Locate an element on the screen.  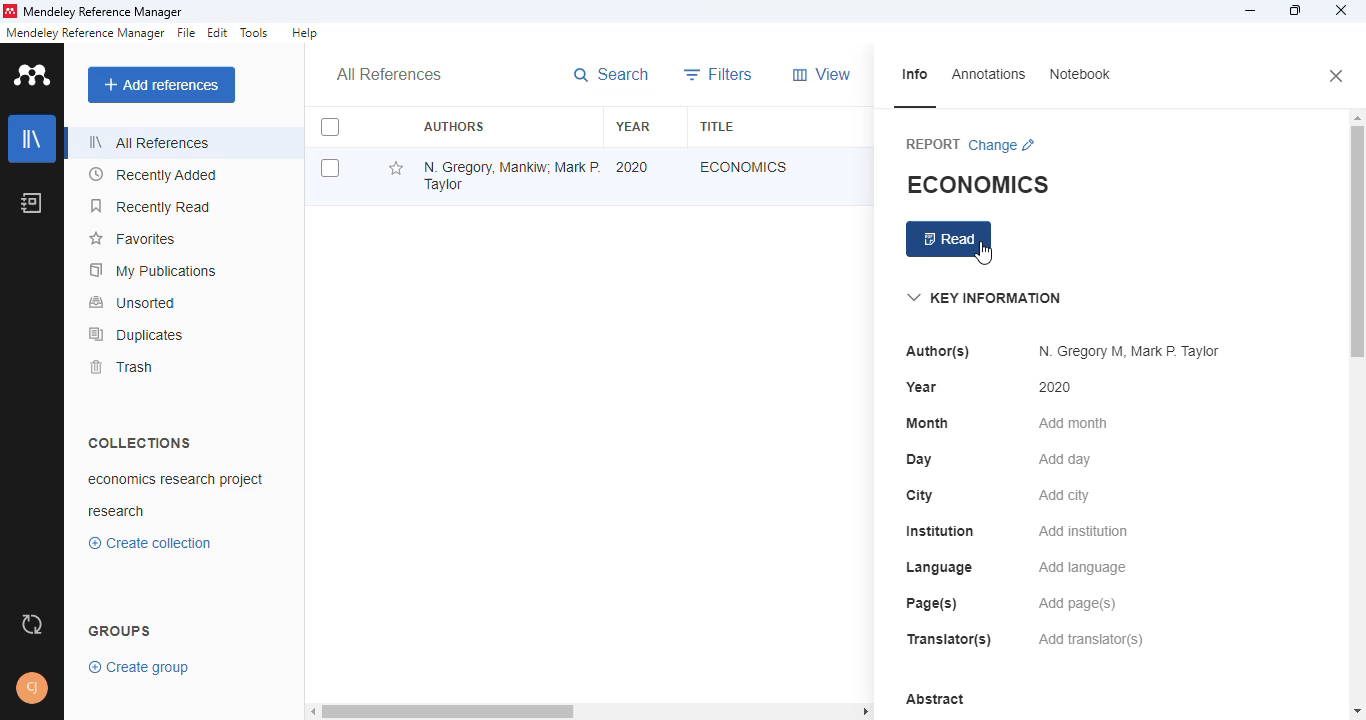
report is located at coordinates (932, 143).